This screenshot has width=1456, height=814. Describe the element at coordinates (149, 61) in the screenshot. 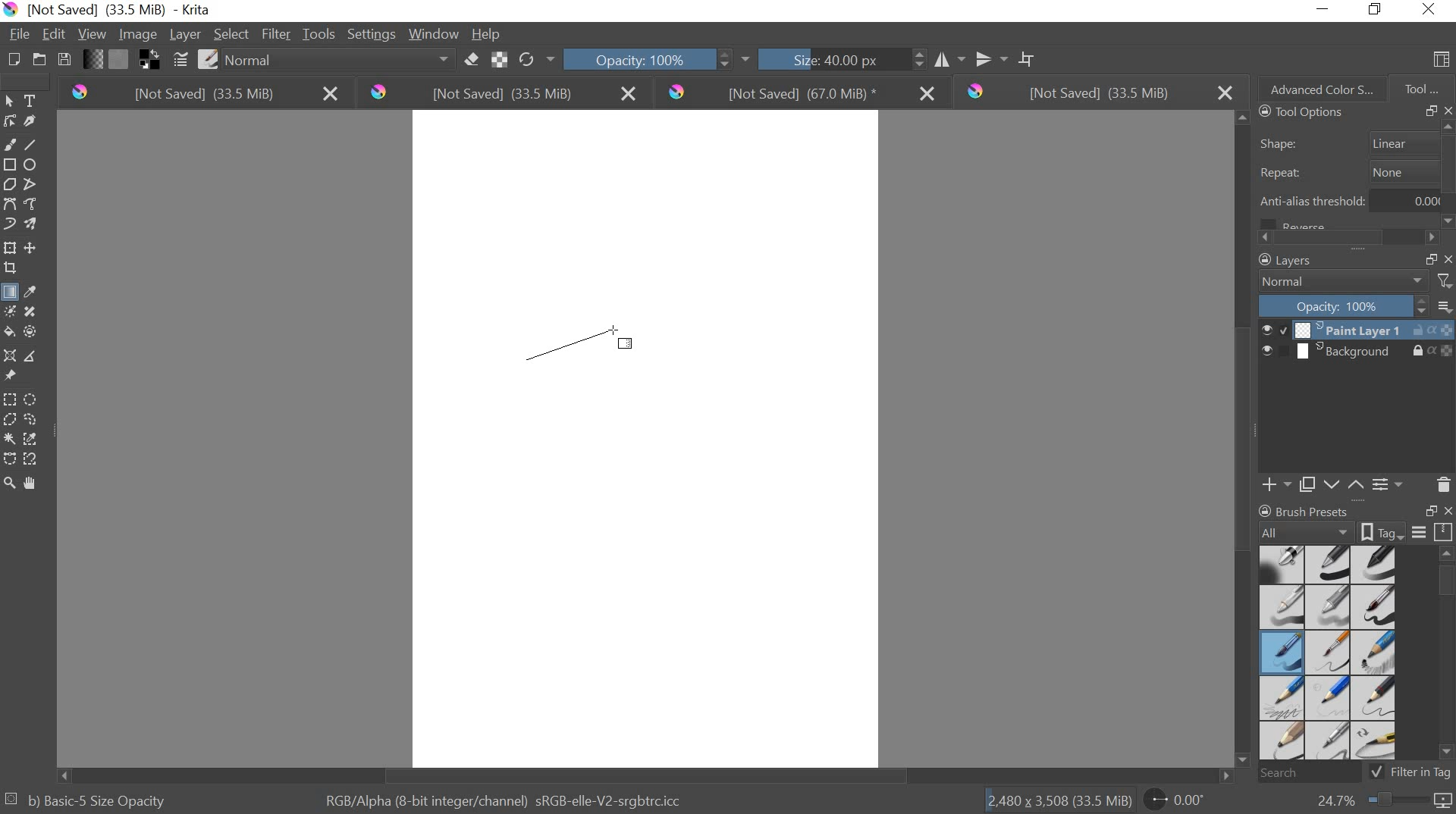

I see `SWAP FOREGROUND AND BACKGROUND COLORS` at that location.